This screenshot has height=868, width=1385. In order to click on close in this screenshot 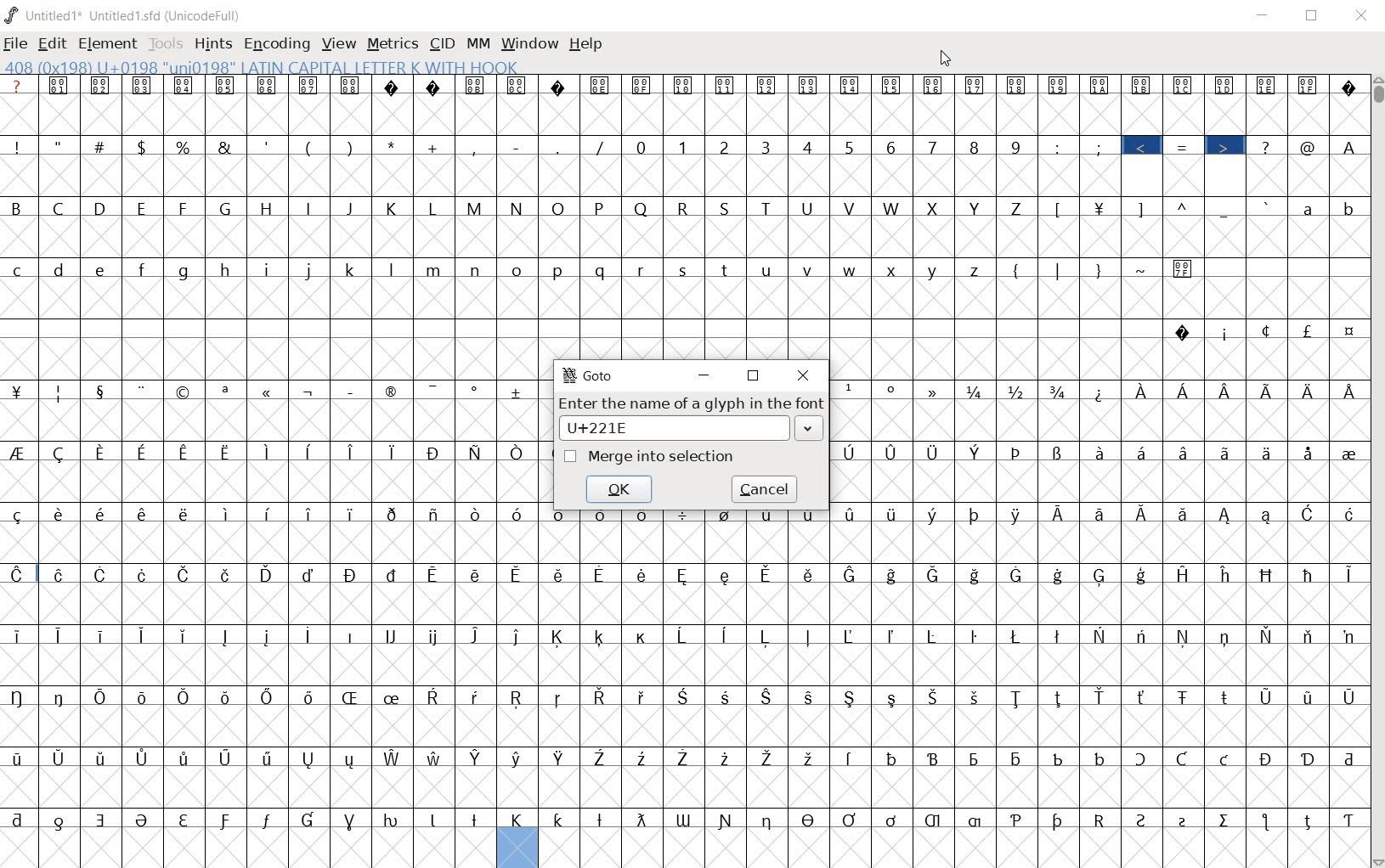, I will do `click(804, 376)`.